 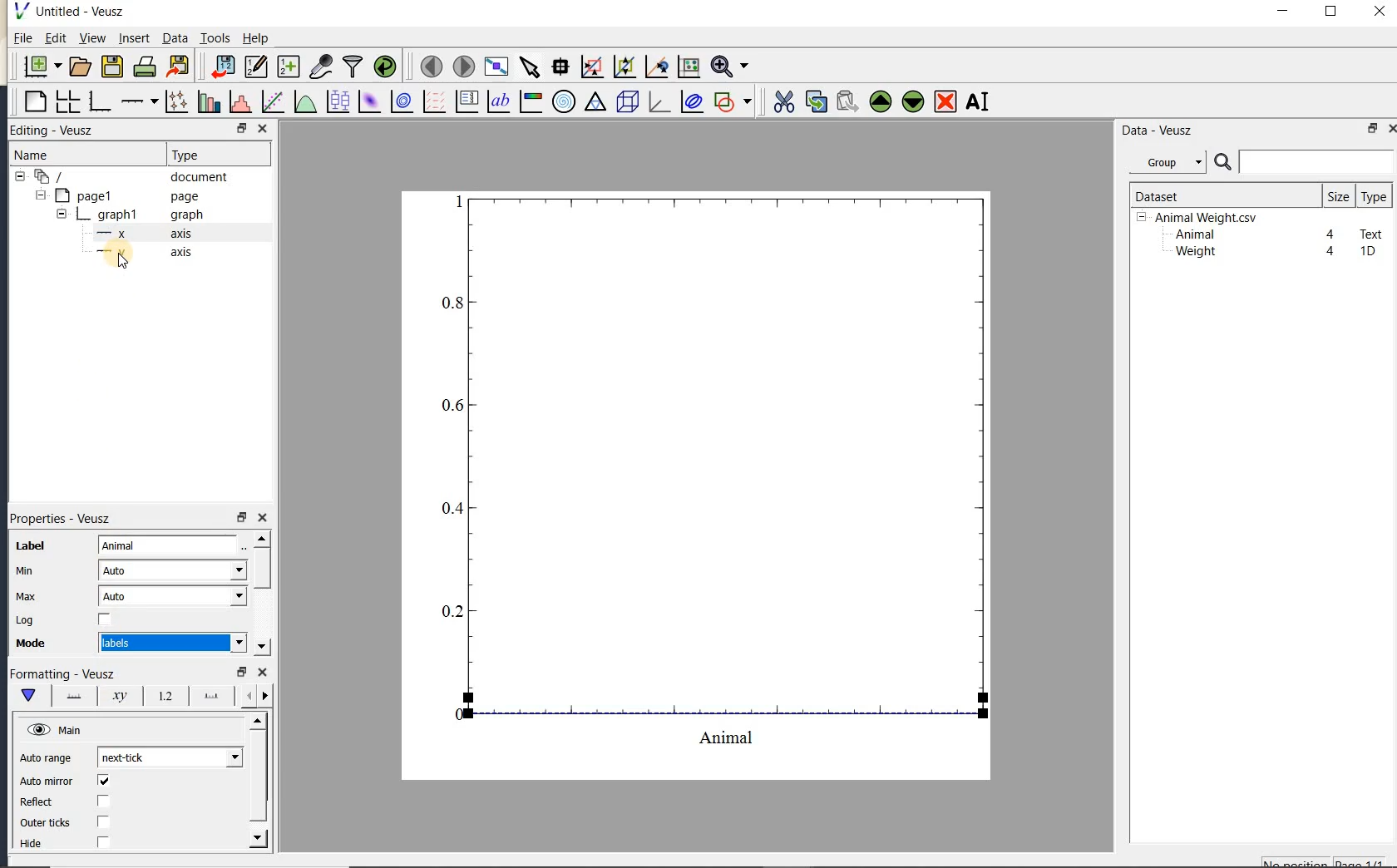 What do you see at coordinates (52, 40) in the screenshot?
I see `Edit` at bounding box center [52, 40].